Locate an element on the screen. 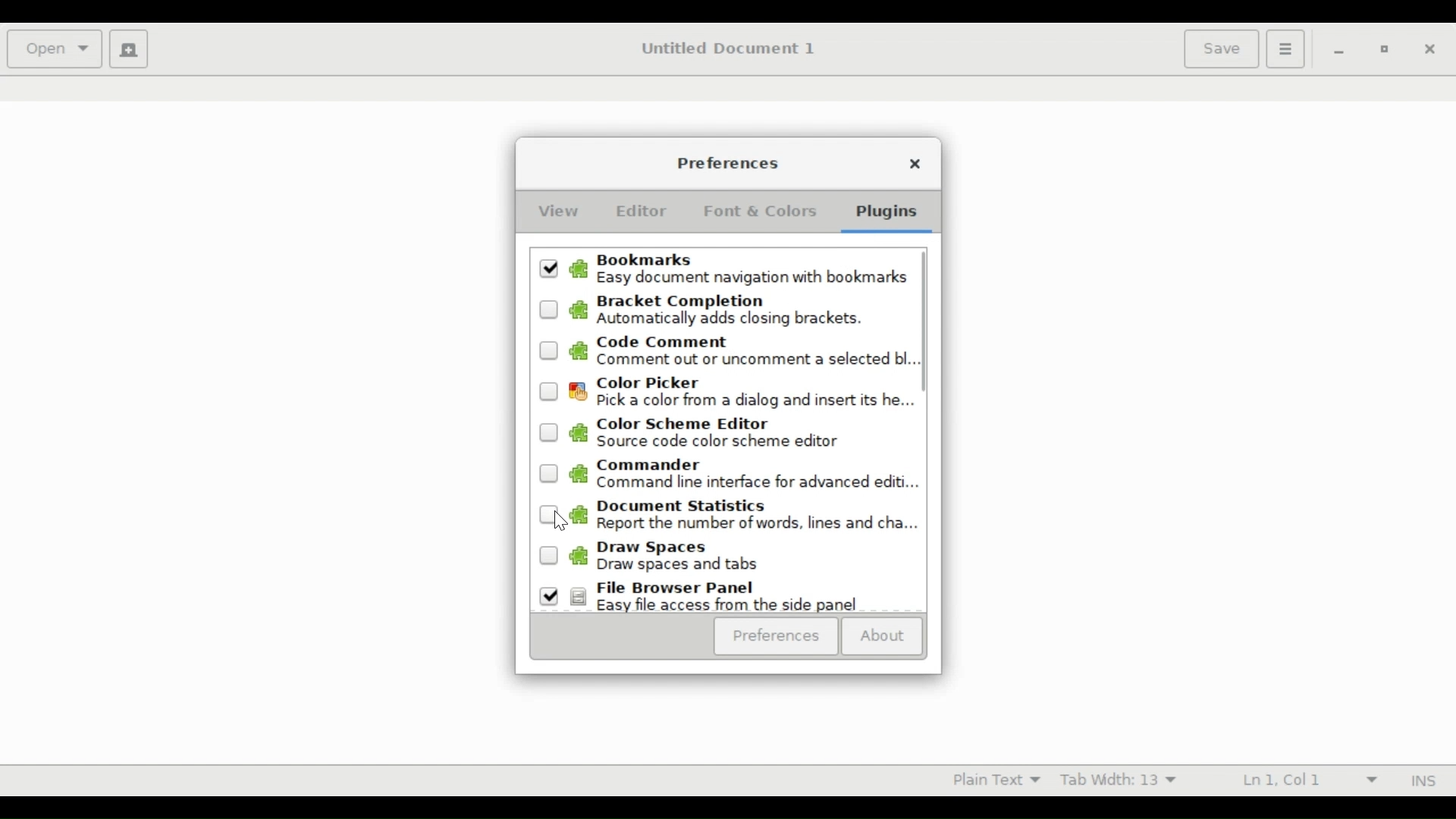  close is located at coordinates (1429, 49).